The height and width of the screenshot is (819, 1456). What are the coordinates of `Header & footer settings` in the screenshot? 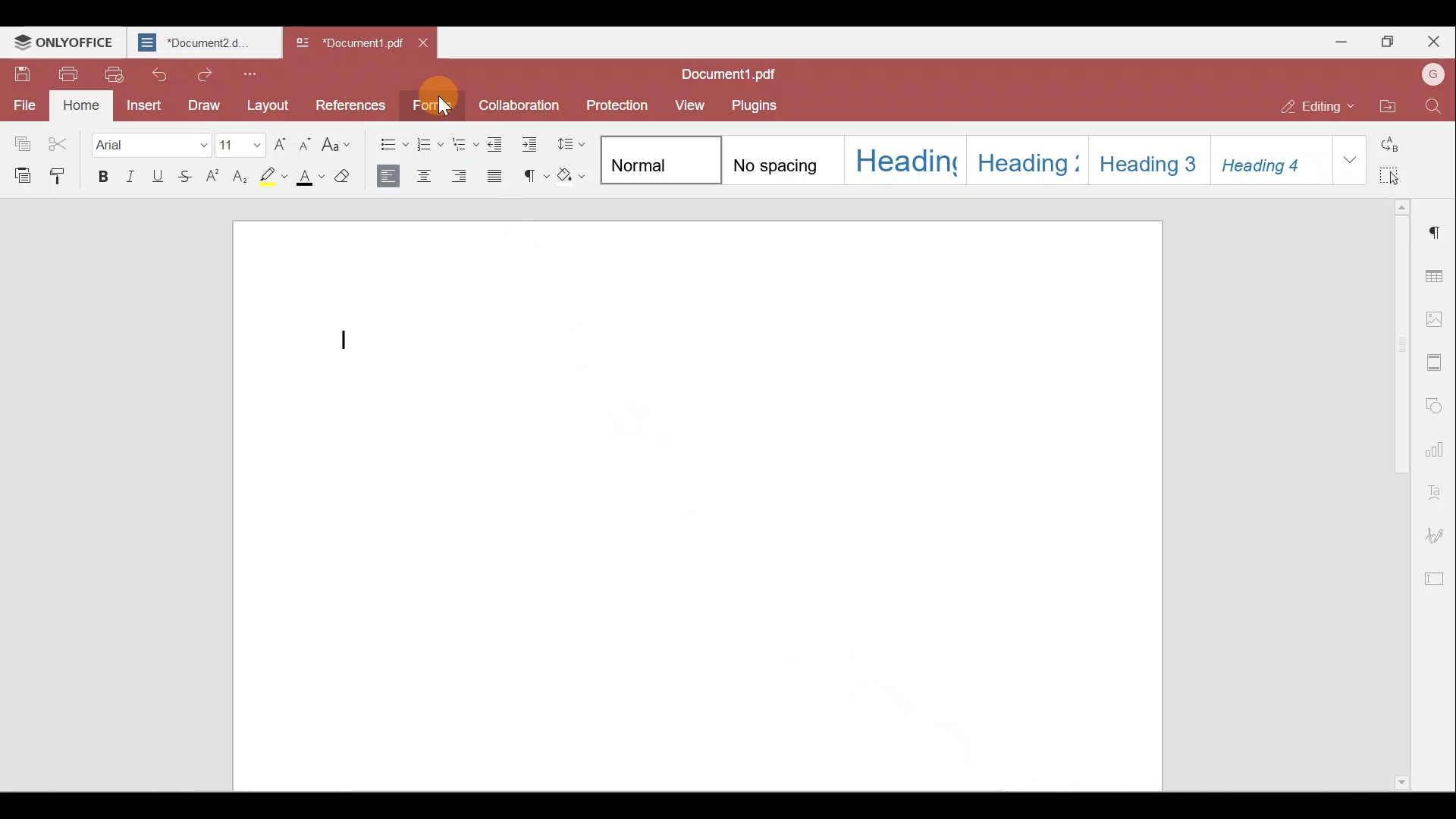 It's located at (1437, 362).